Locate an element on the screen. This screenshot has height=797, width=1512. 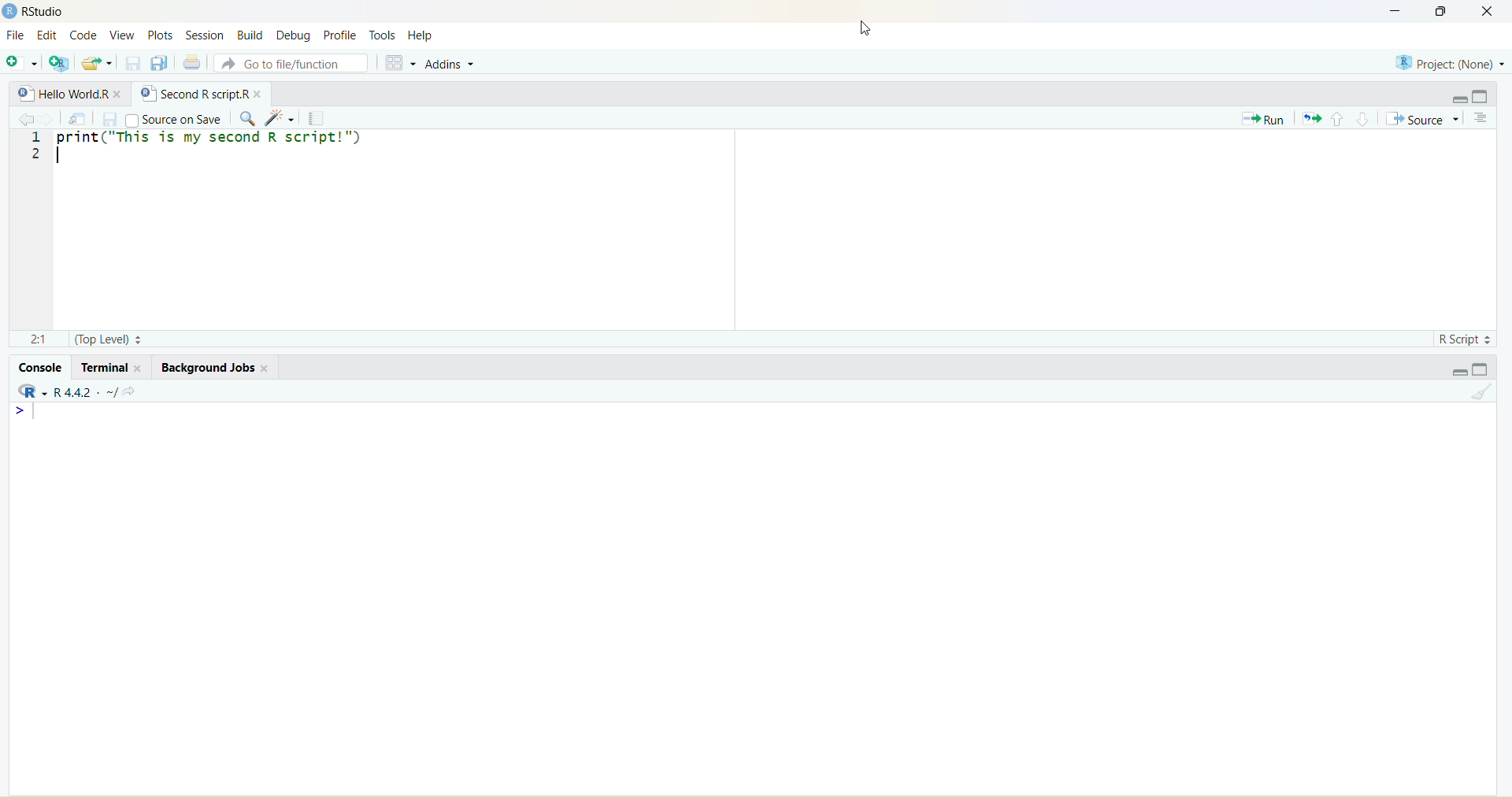
Close is located at coordinates (1488, 13).